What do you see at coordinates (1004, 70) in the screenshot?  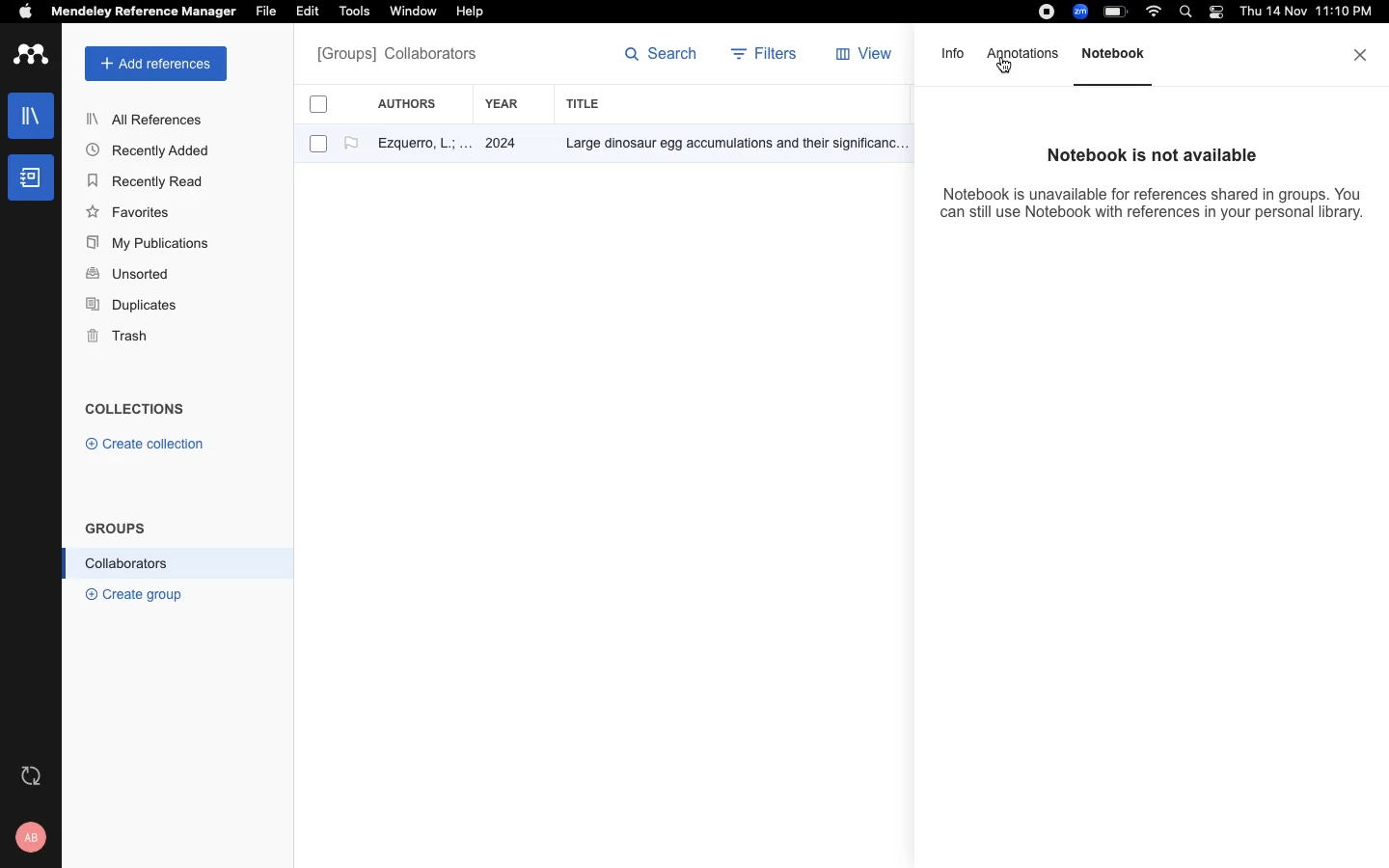 I see `cursor` at bounding box center [1004, 70].